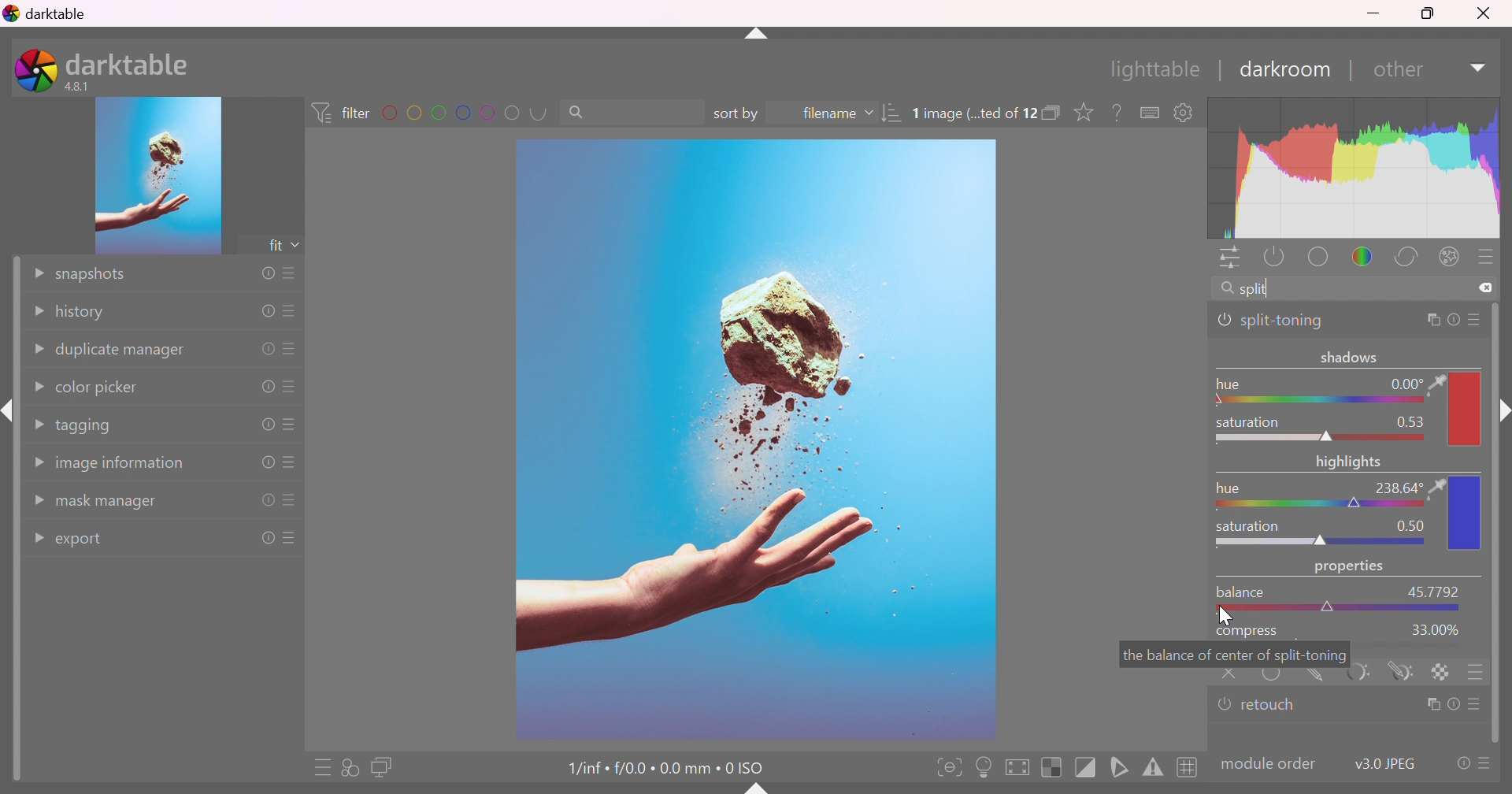  What do you see at coordinates (1240, 591) in the screenshot?
I see `balance` at bounding box center [1240, 591].